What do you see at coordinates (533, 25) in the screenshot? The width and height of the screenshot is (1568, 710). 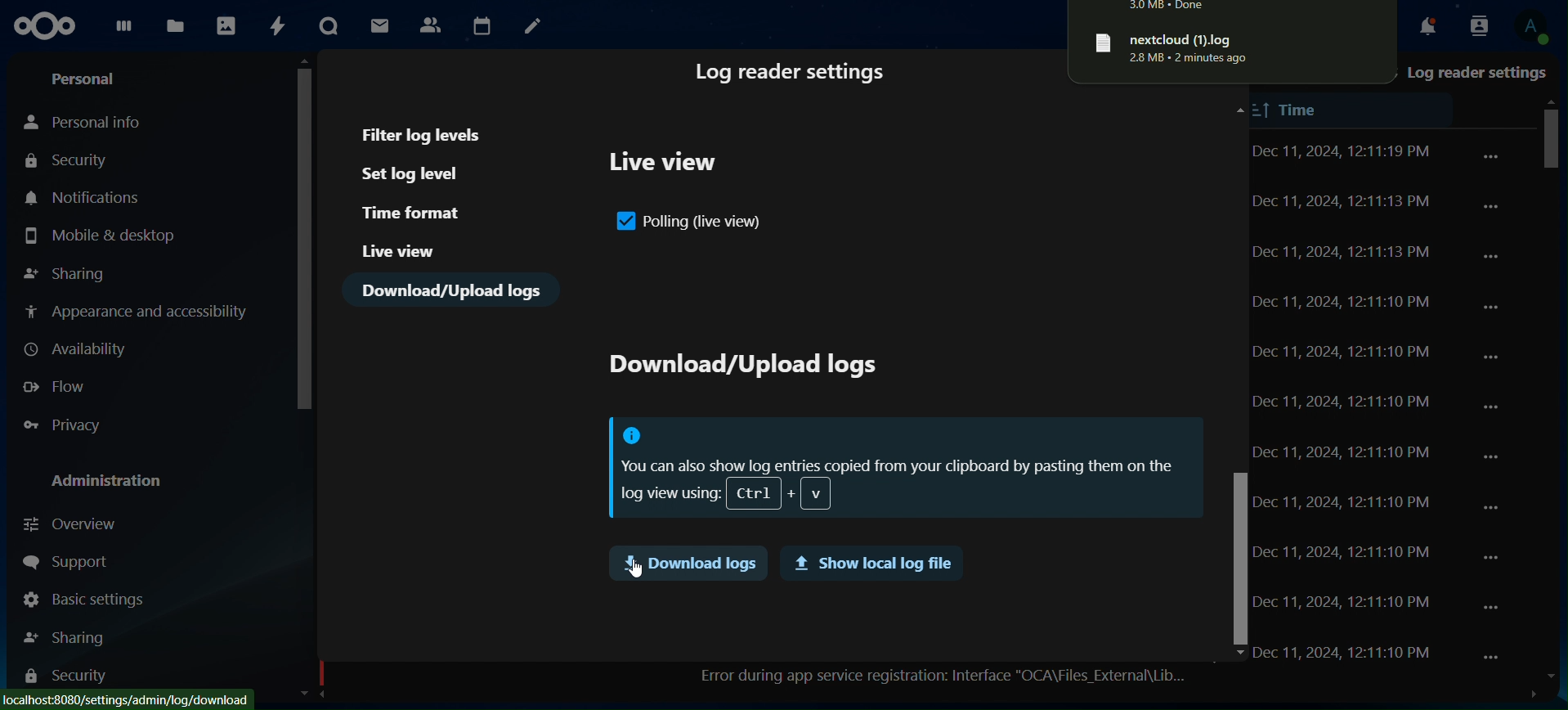 I see `notes` at bounding box center [533, 25].